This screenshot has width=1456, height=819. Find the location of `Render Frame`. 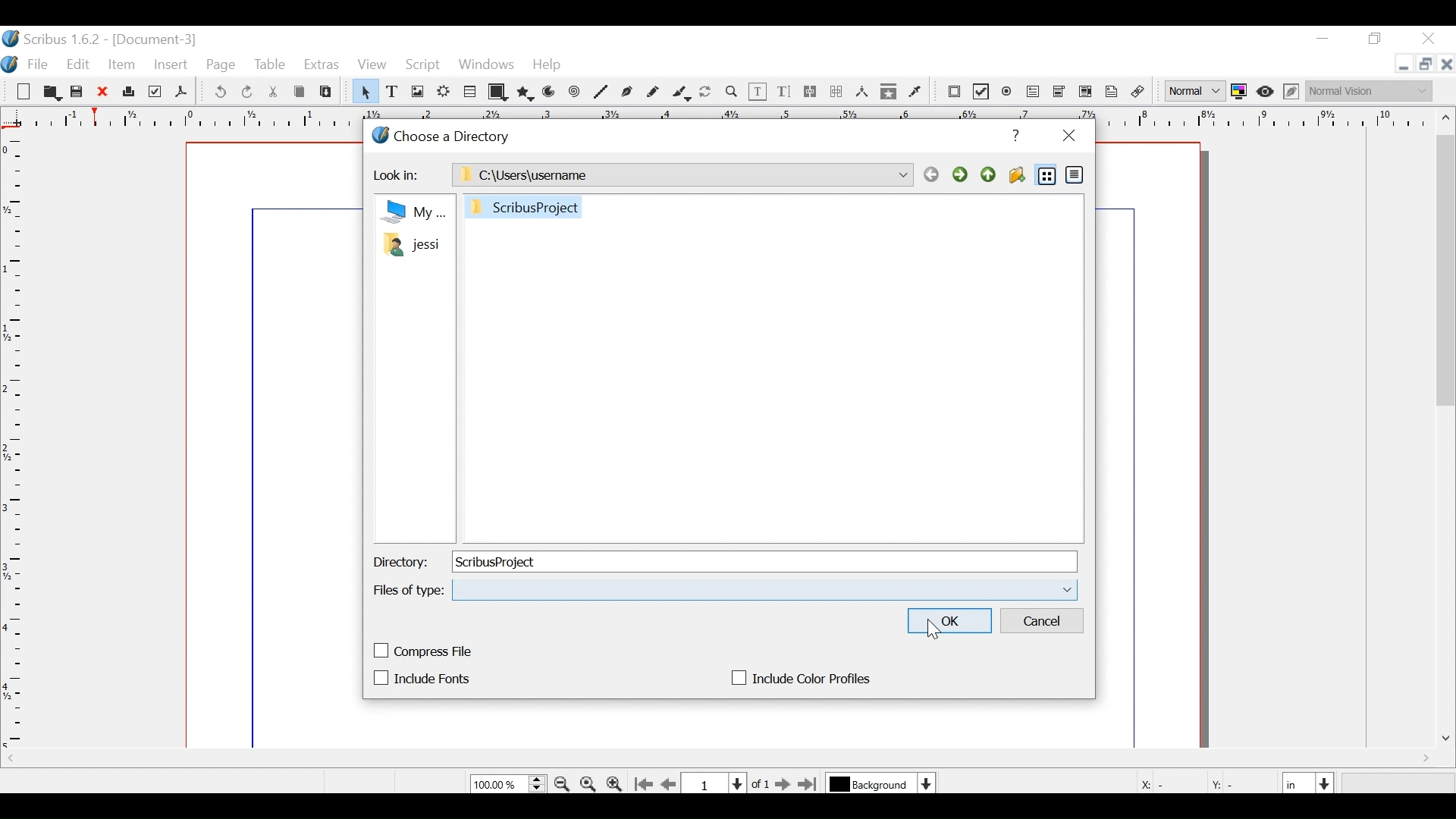

Render Frame is located at coordinates (444, 91).